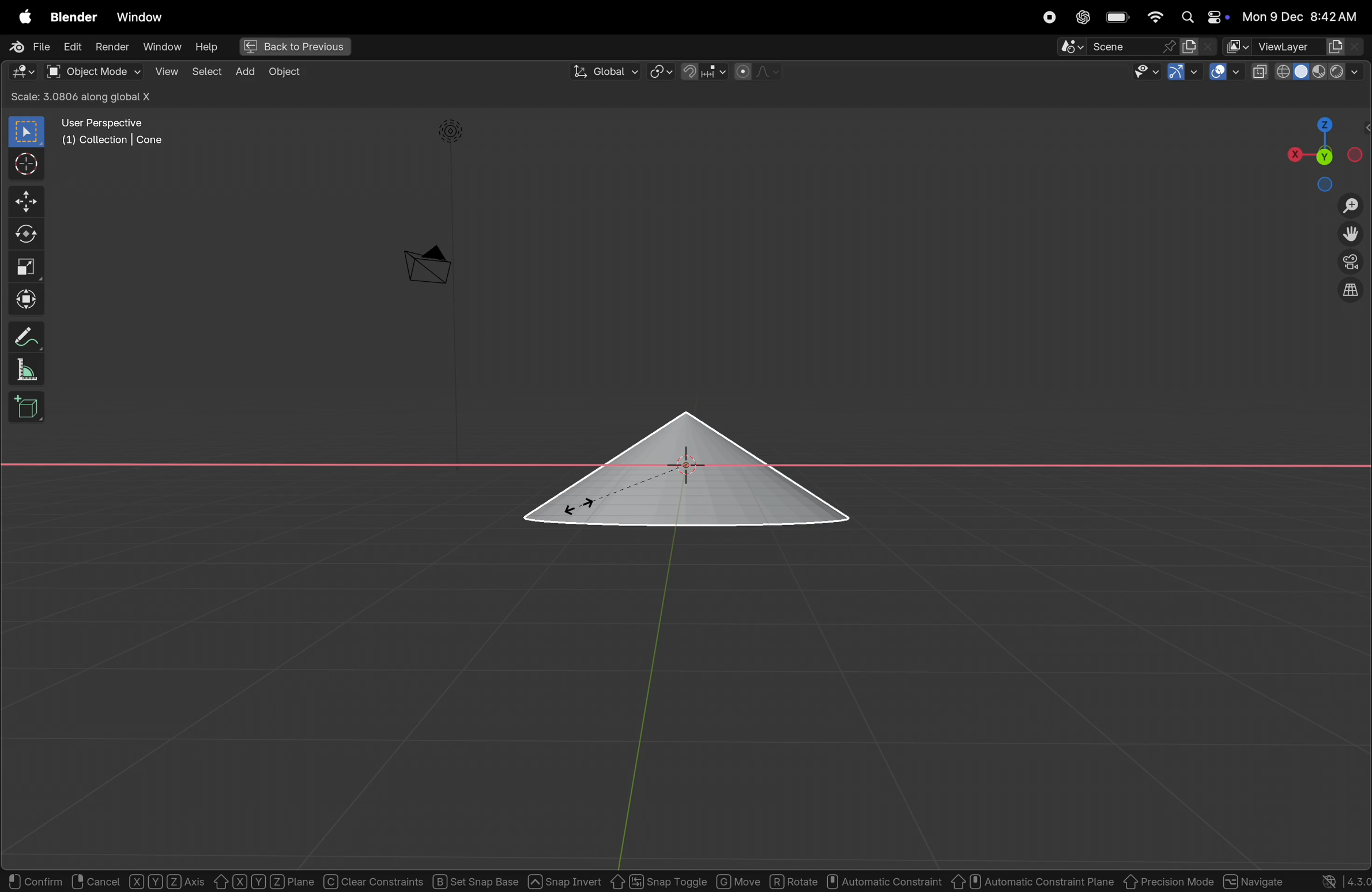  Describe the element at coordinates (33, 882) in the screenshot. I see `confirm` at that location.